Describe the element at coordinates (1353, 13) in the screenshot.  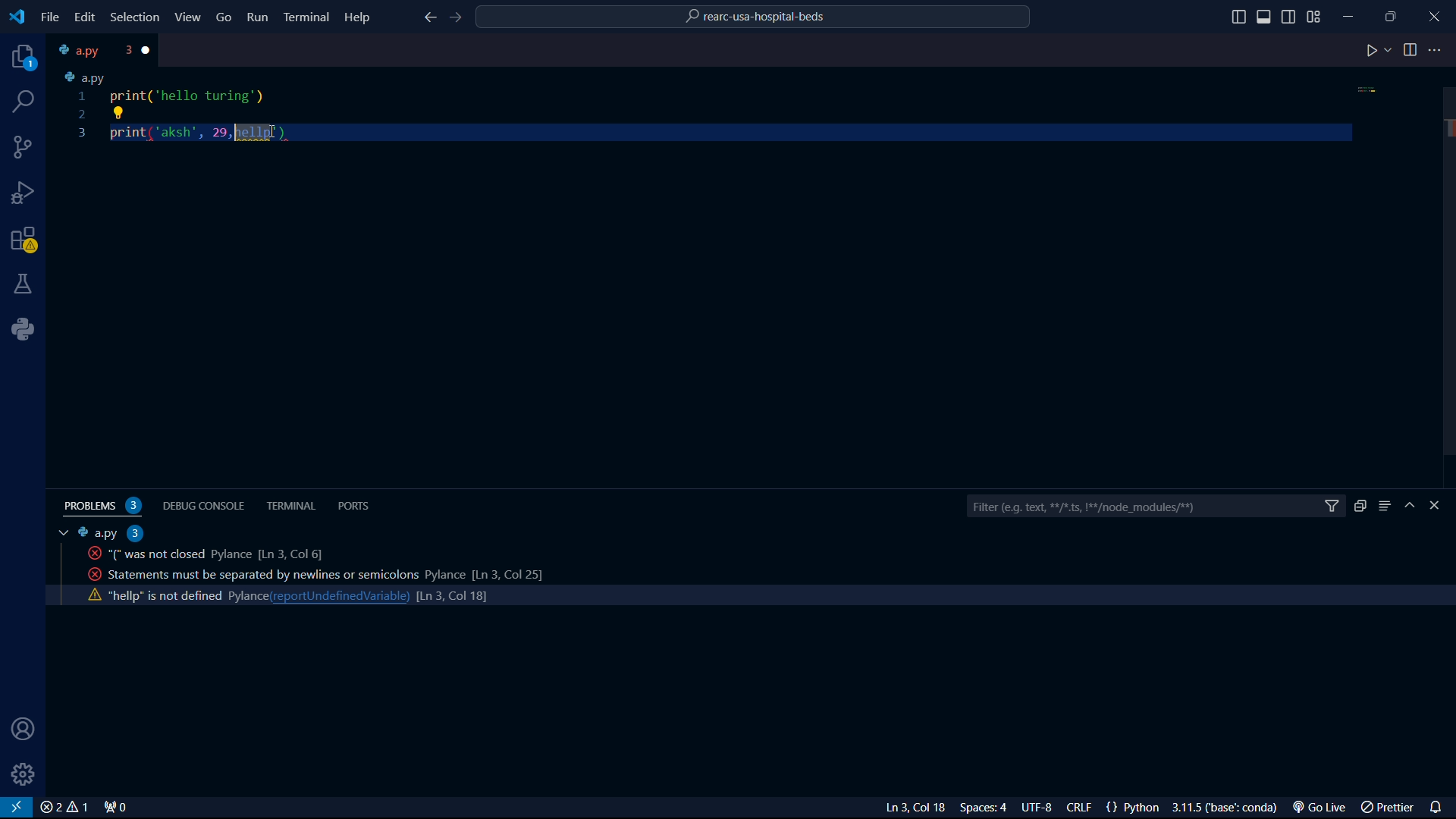
I see `minimize` at that location.